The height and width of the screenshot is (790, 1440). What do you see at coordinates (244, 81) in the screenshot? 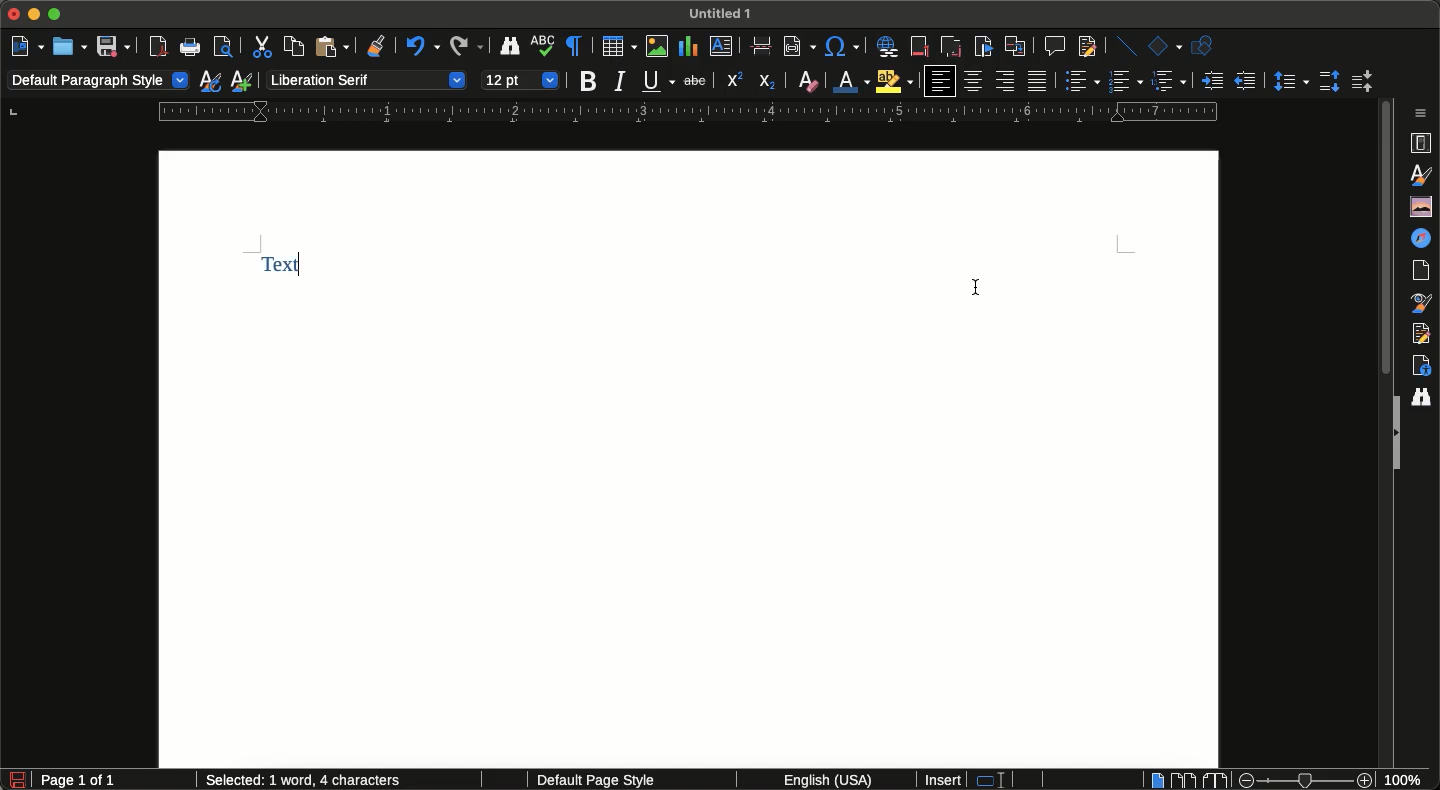
I see `New style from selection` at bounding box center [244, 81].